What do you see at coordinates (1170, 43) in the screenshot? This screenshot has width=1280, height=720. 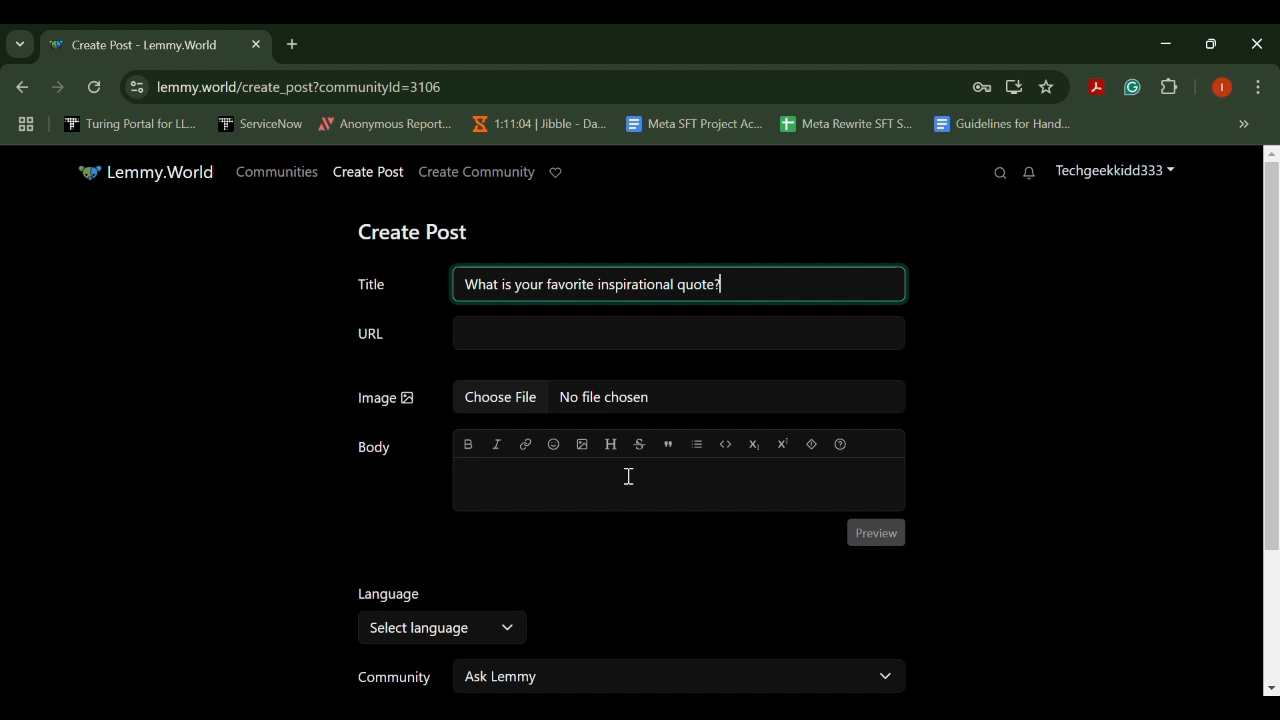 I see `Restore Down` at bounding box center [1170, 43].